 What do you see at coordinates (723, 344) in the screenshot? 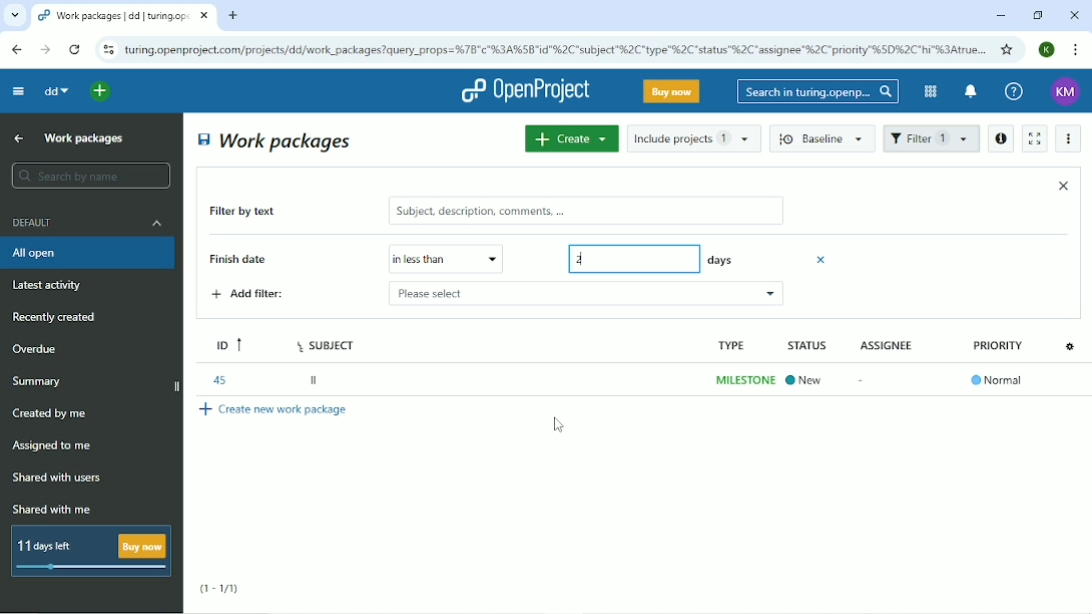
I see `type` at bounding box center [723, 344].